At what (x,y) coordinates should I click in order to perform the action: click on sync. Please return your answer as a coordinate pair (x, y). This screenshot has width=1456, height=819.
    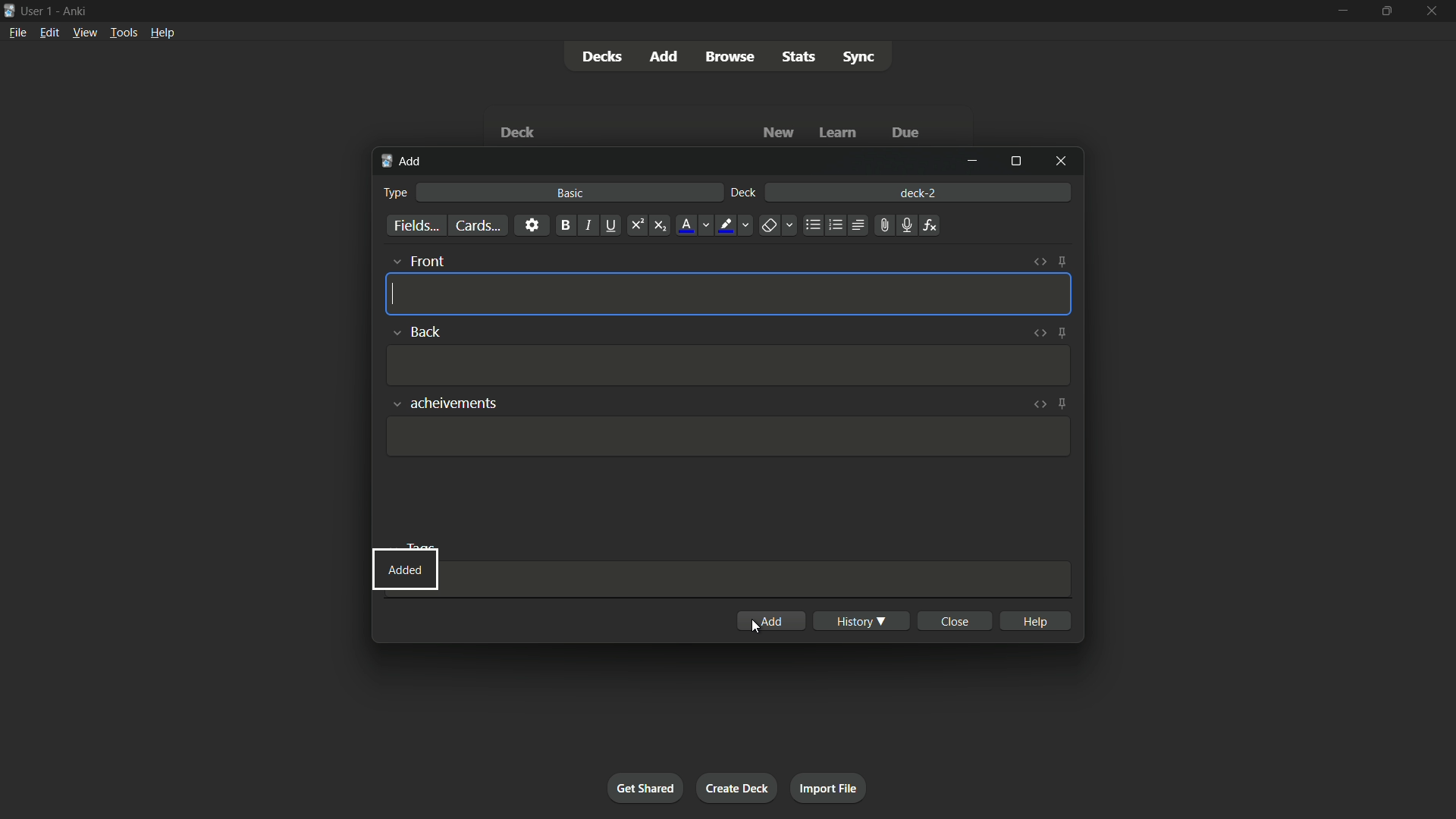
    Looking at the image, I should click on (861, 58).